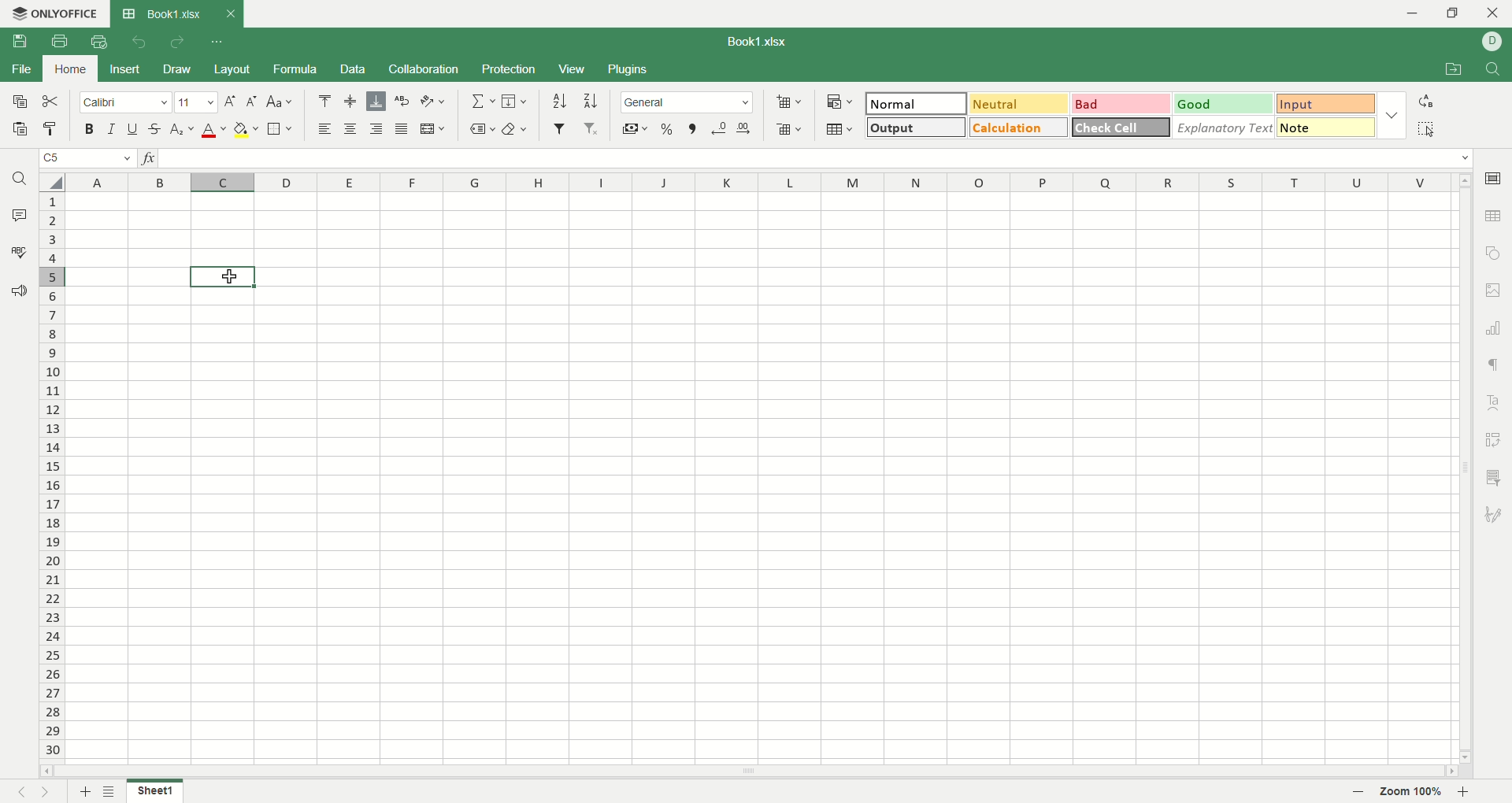 This screenshot has height=803, width=1512. I want to click on align center, so click(351, 102).